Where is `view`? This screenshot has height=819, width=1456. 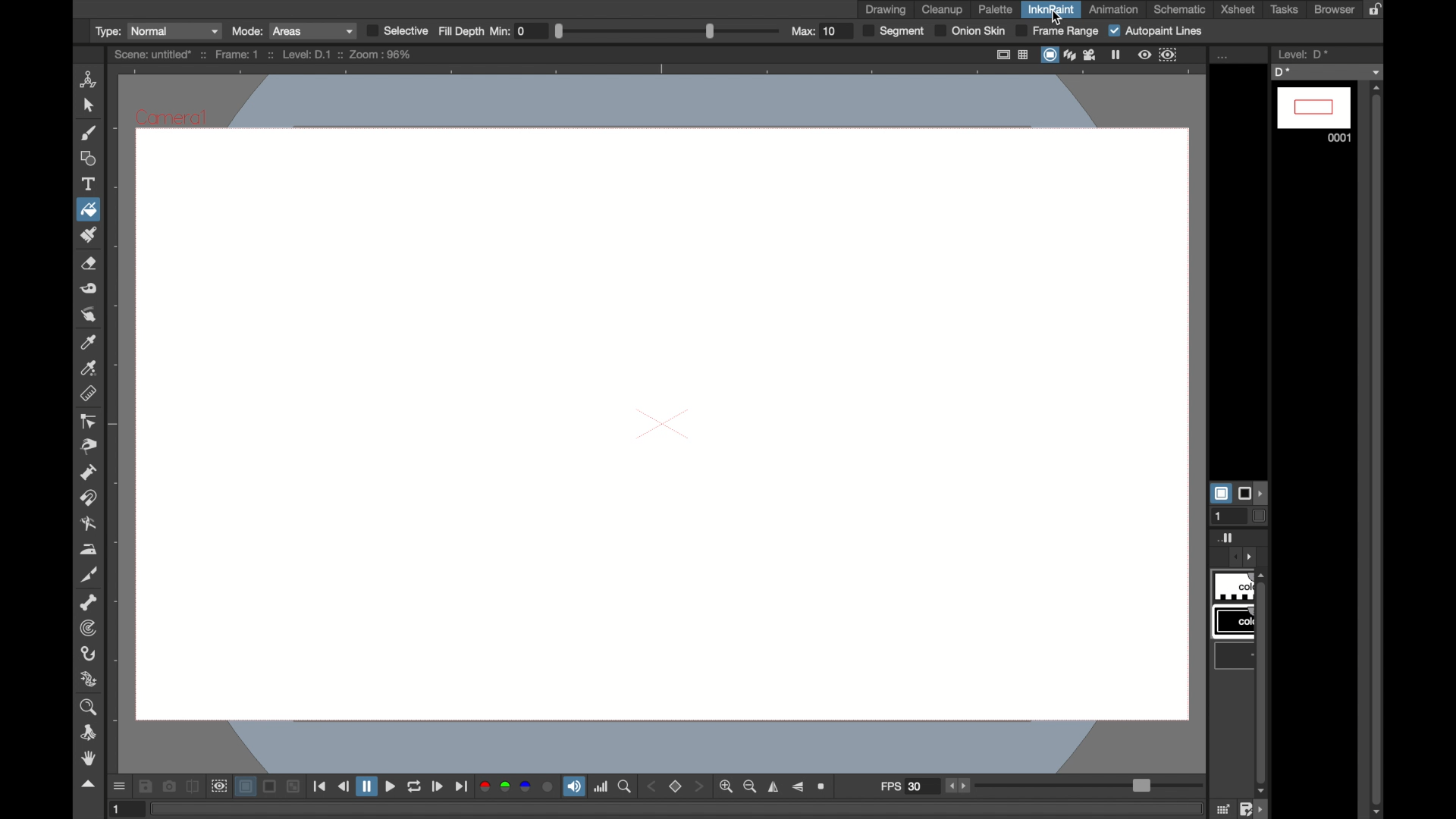 view is located at coordinates (1145, 55).